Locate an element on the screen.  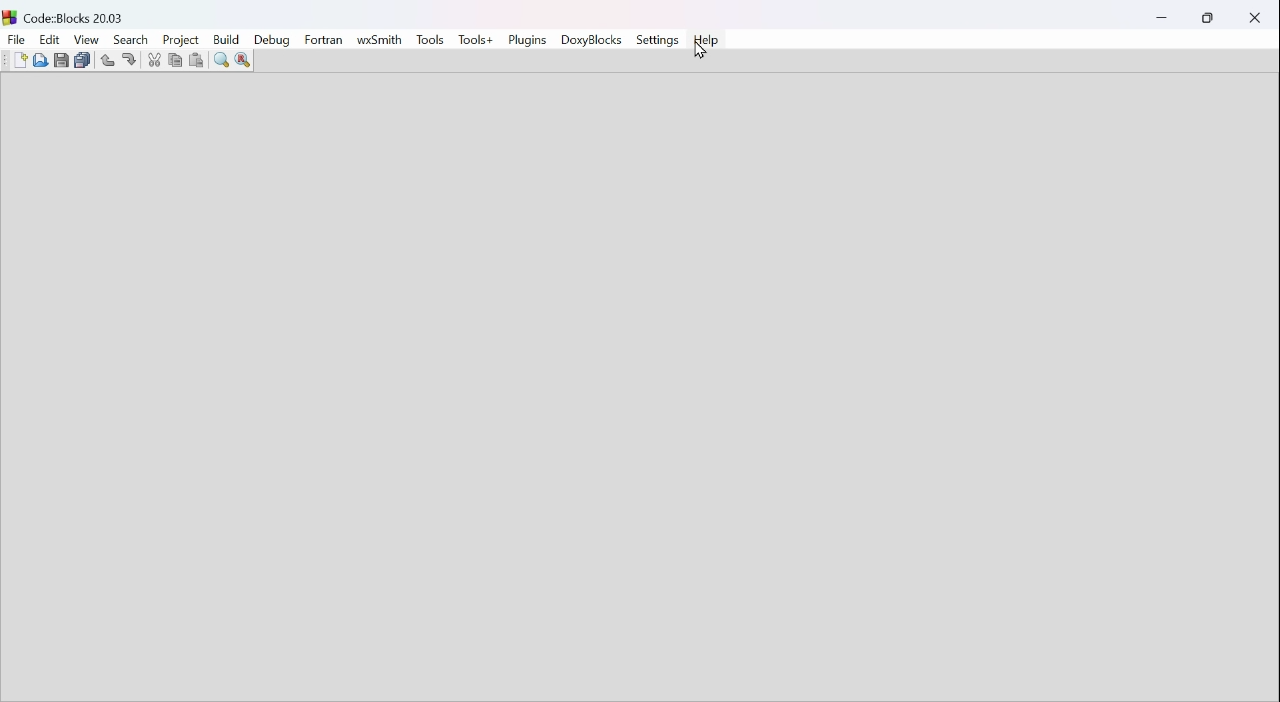
edit is located at coordinates (51, 40).